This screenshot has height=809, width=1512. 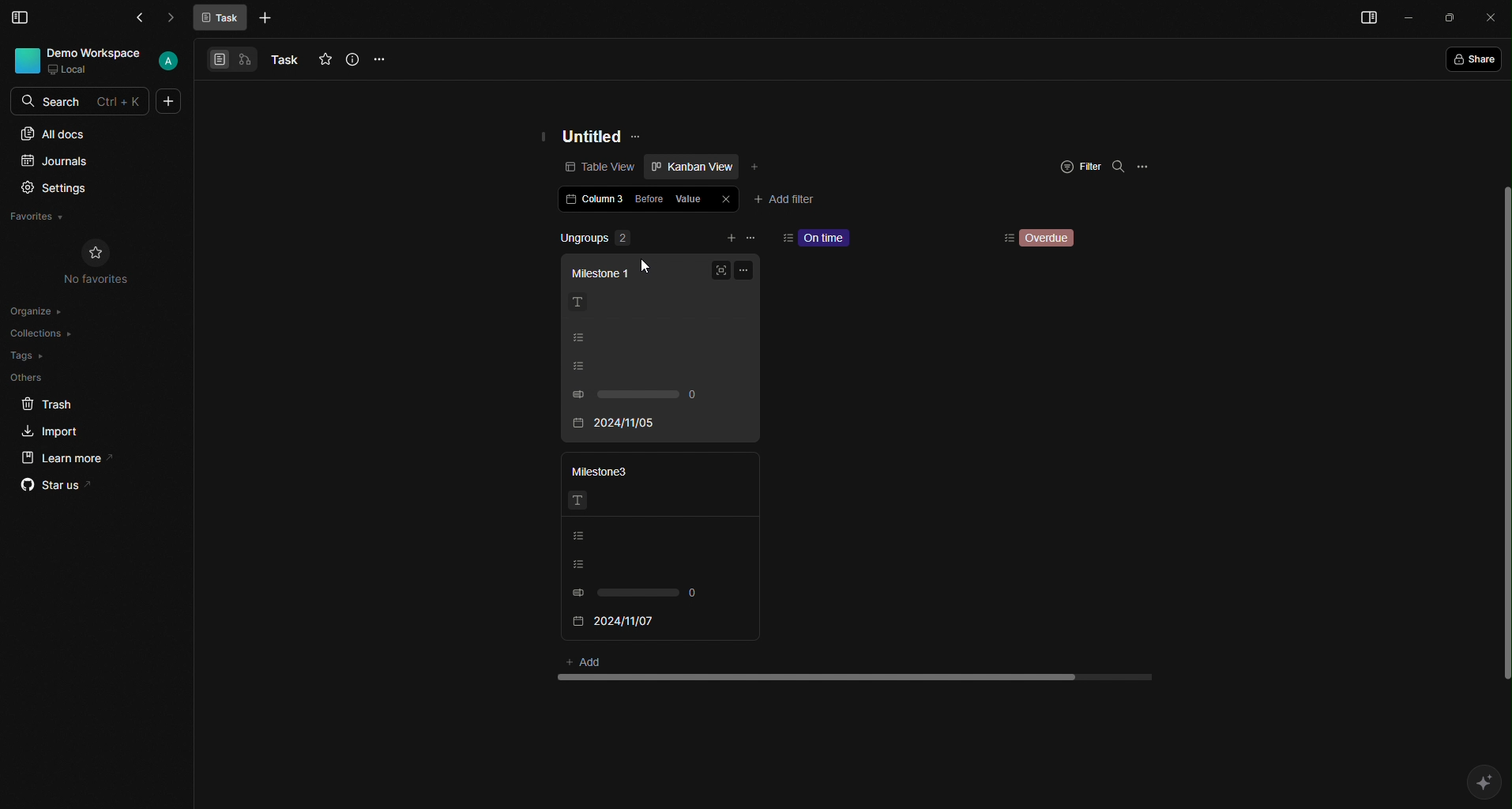 What do you see at coordinates (788, 238) in the screenshot?
I see `sort` at bounding box center [788, 238].